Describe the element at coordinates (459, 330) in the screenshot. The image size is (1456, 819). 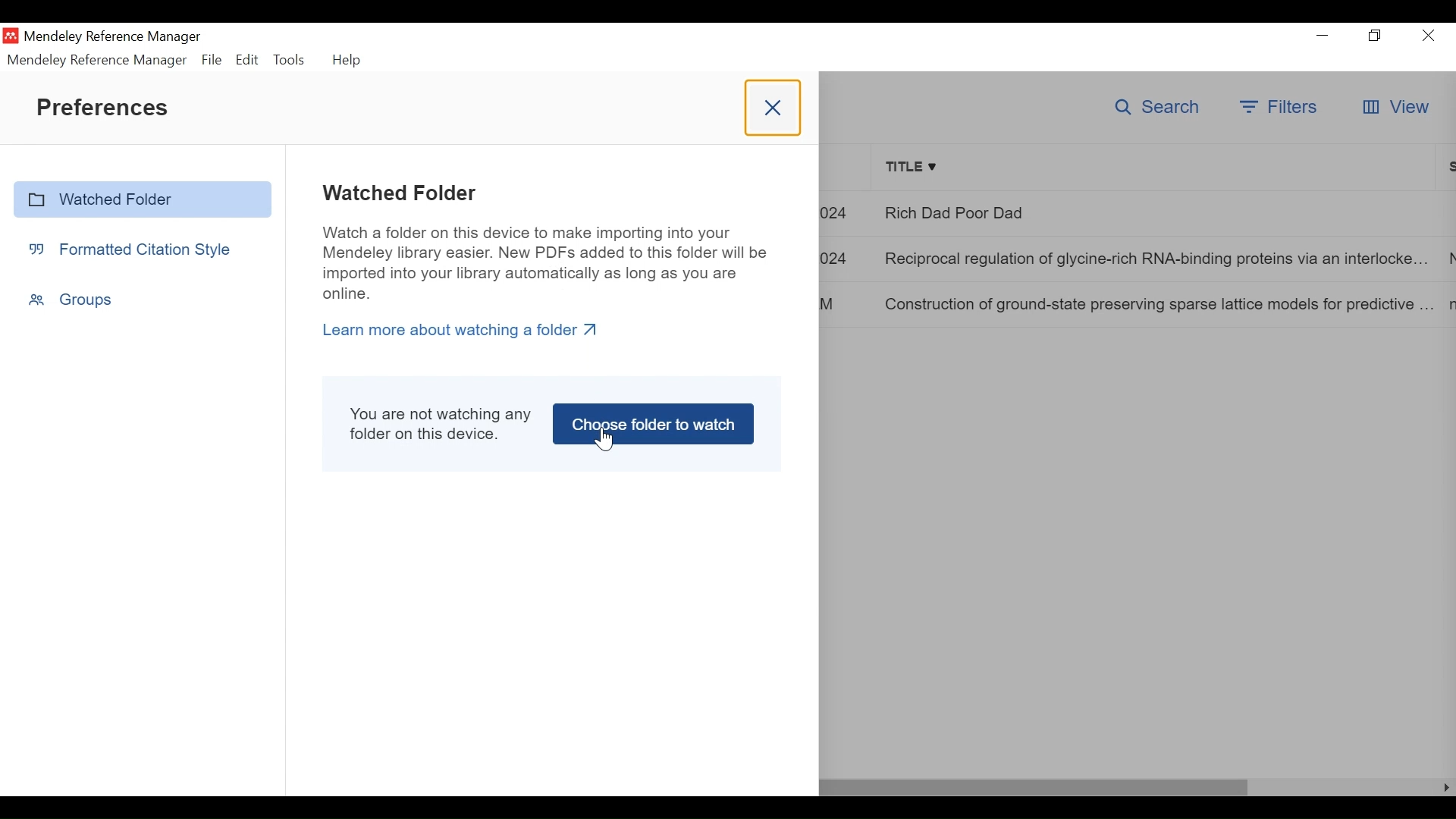
I see `Learn more about watching a folder` at that location.